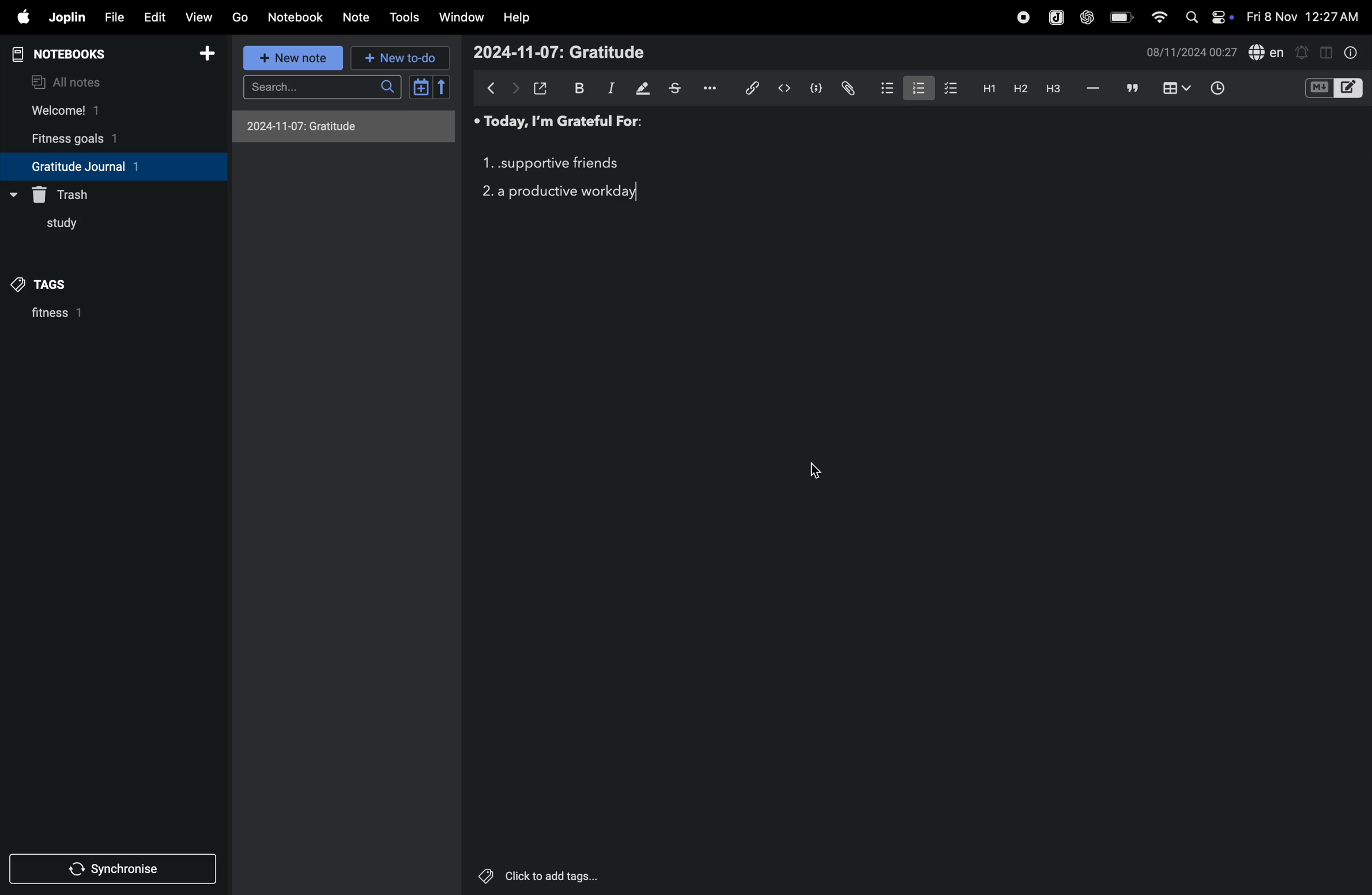 The height and width of the screenshot is (895, 1372). Describe the element at coordinates (541, 87) in the screenshot. I see `open file` at that location.